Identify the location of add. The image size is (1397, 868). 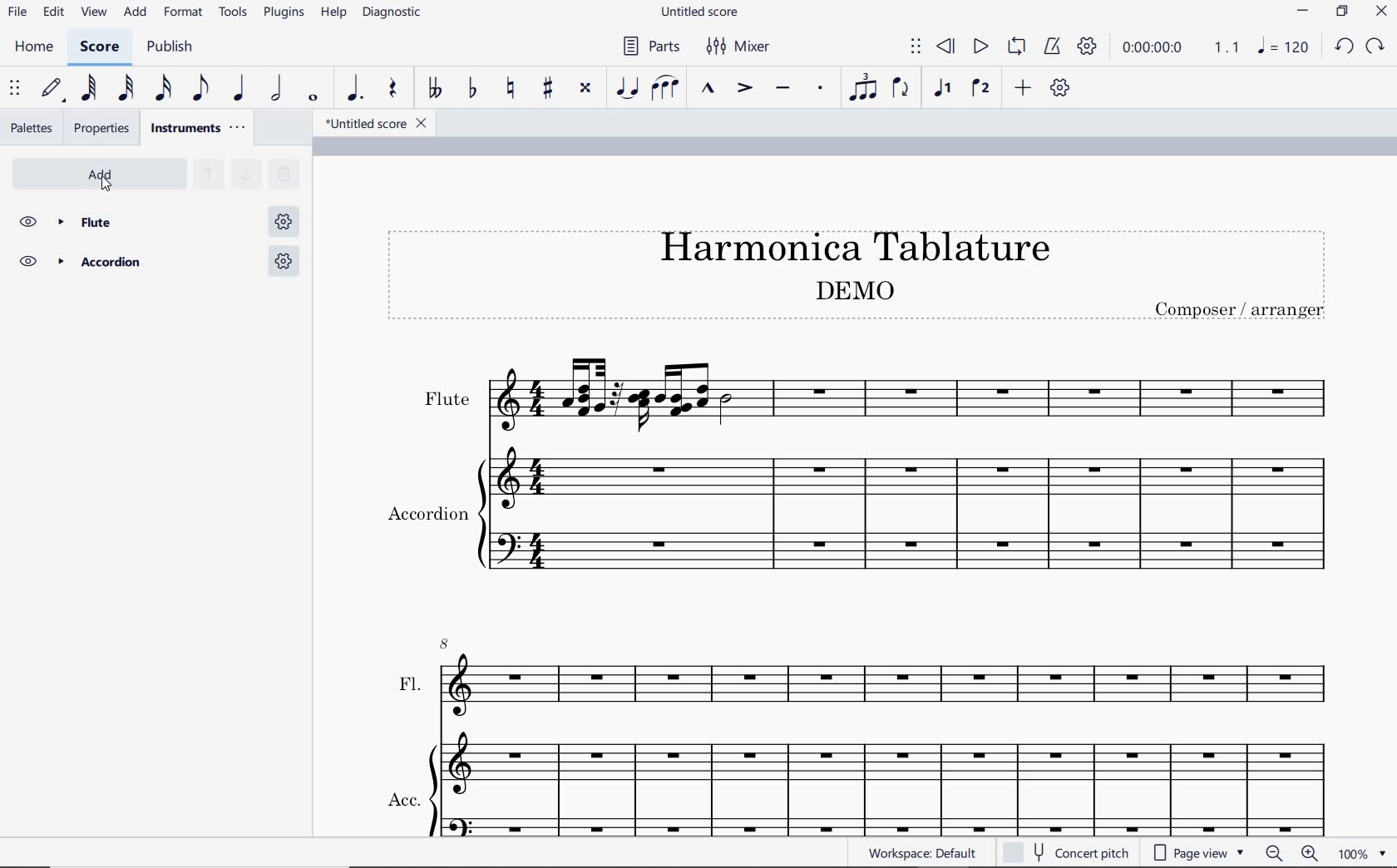
(104, 170).